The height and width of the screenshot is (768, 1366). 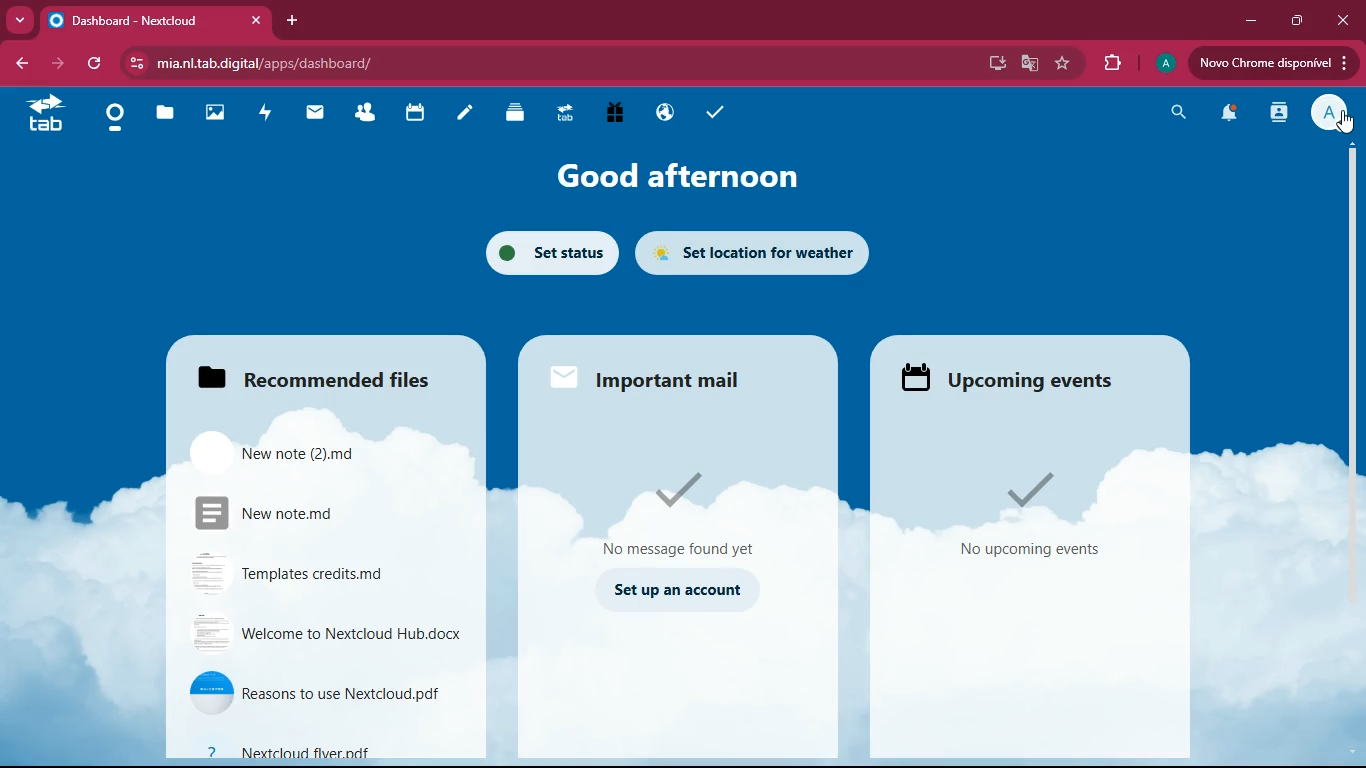 I want to click on file, so click(x=301, y=451).